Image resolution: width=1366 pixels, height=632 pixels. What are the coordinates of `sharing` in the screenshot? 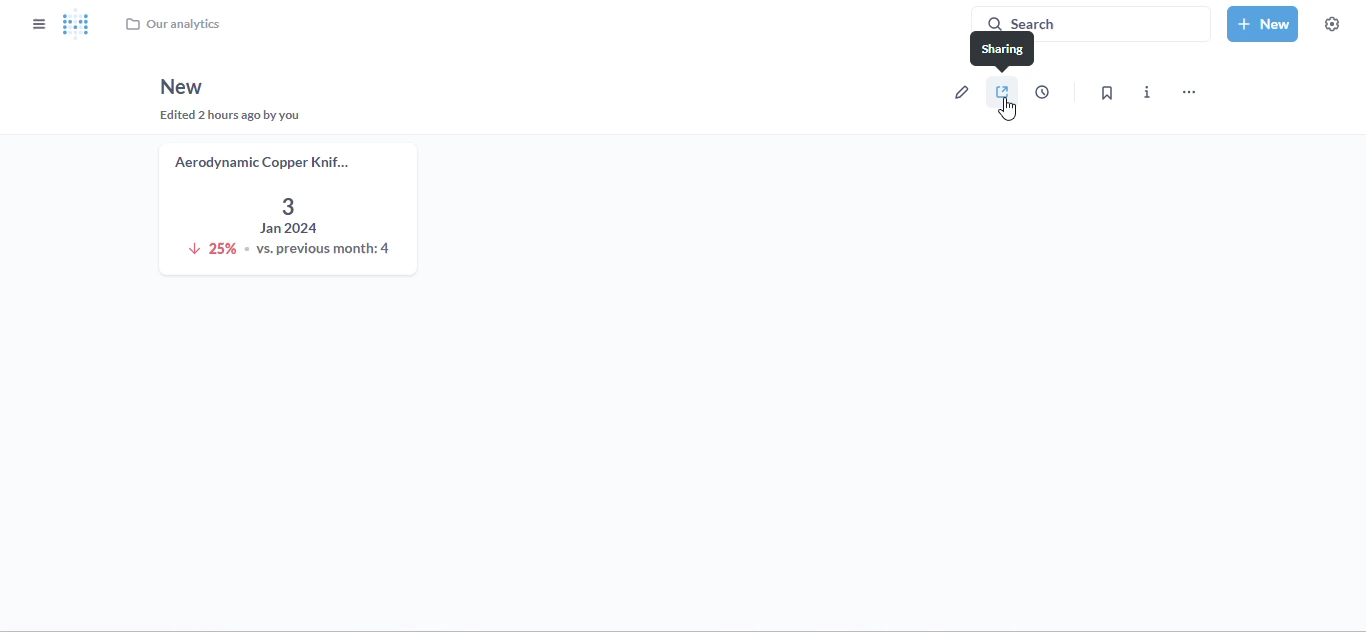 It's located at (1003, 91).